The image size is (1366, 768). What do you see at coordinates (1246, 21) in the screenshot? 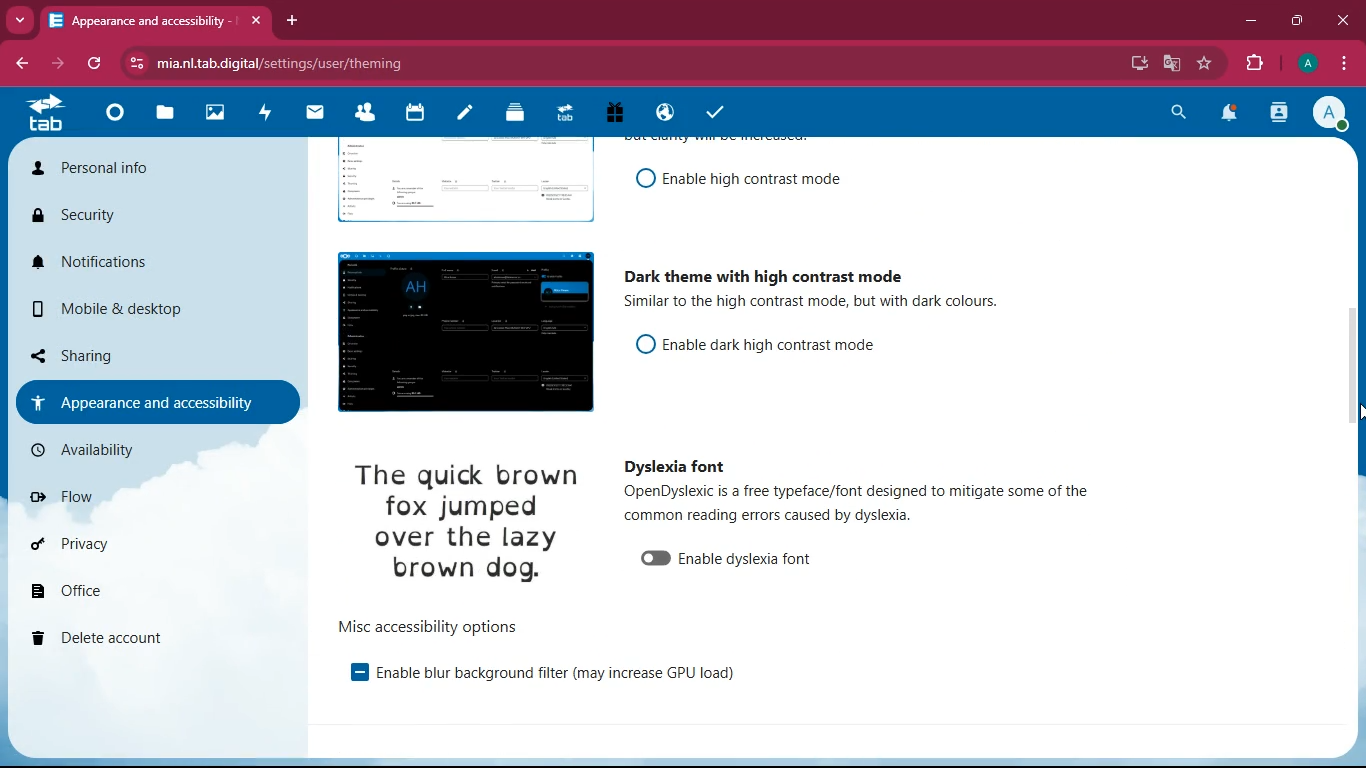
I see `minimize` at bounding box center [1246, 21].